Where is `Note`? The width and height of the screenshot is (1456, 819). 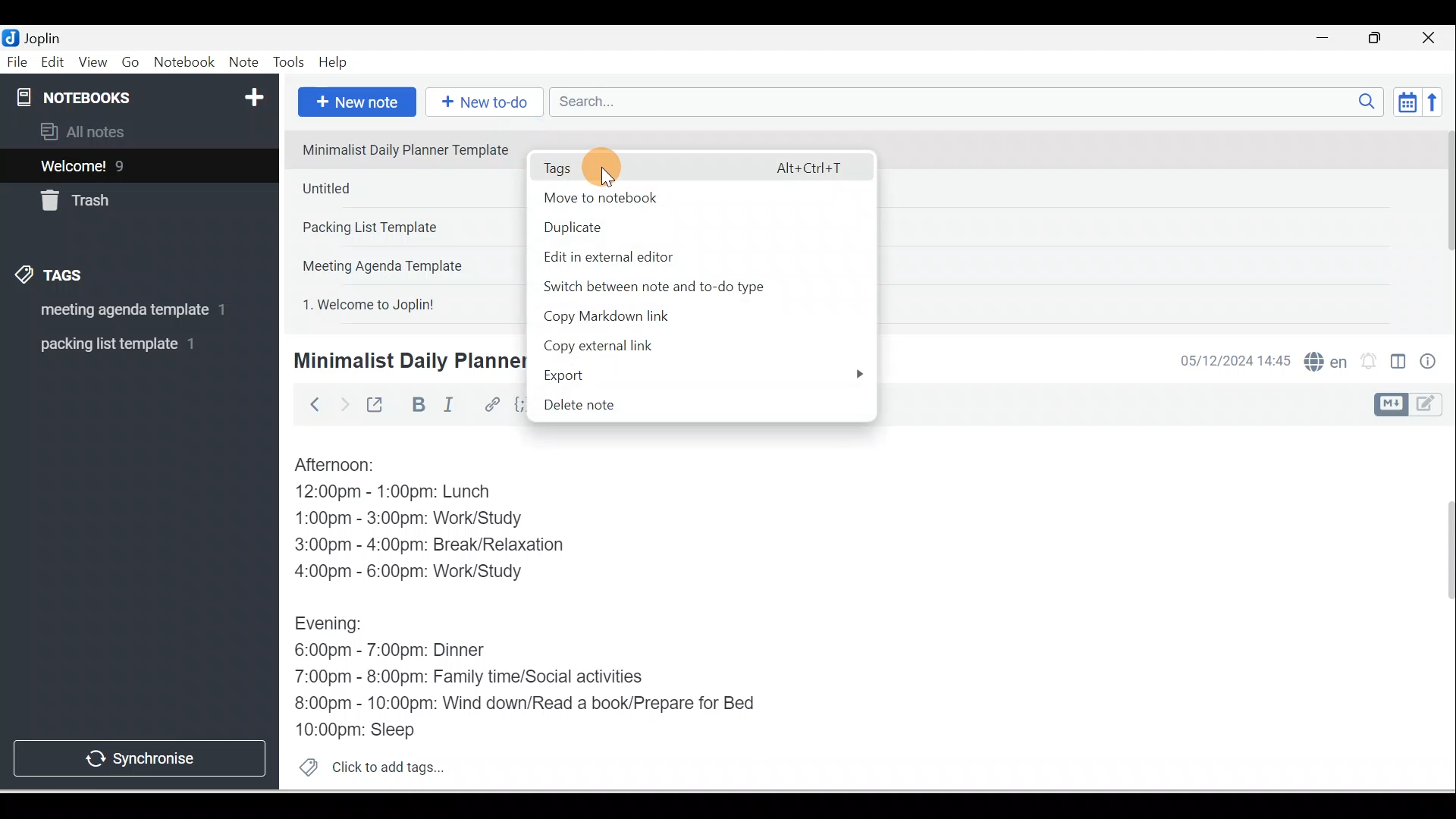
Note is located at coordinates (242, 63).